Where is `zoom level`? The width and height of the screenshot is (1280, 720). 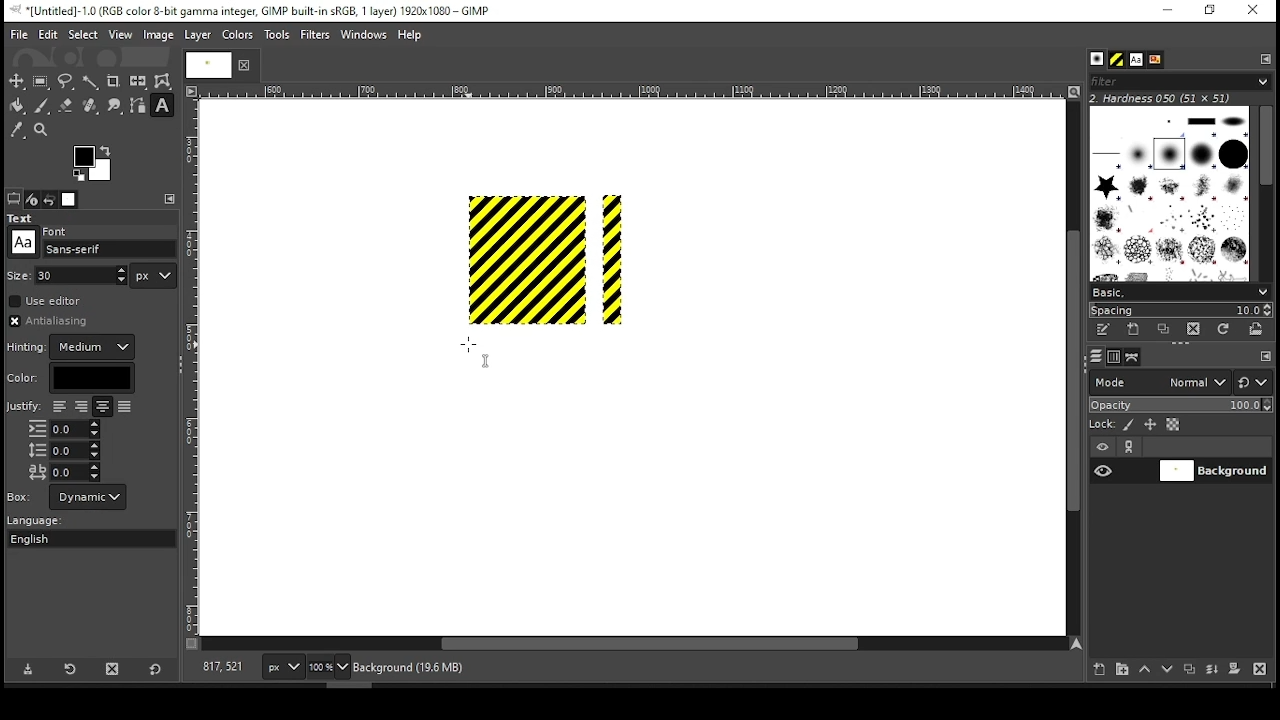 zoom level is located at coordinates (328, 669).